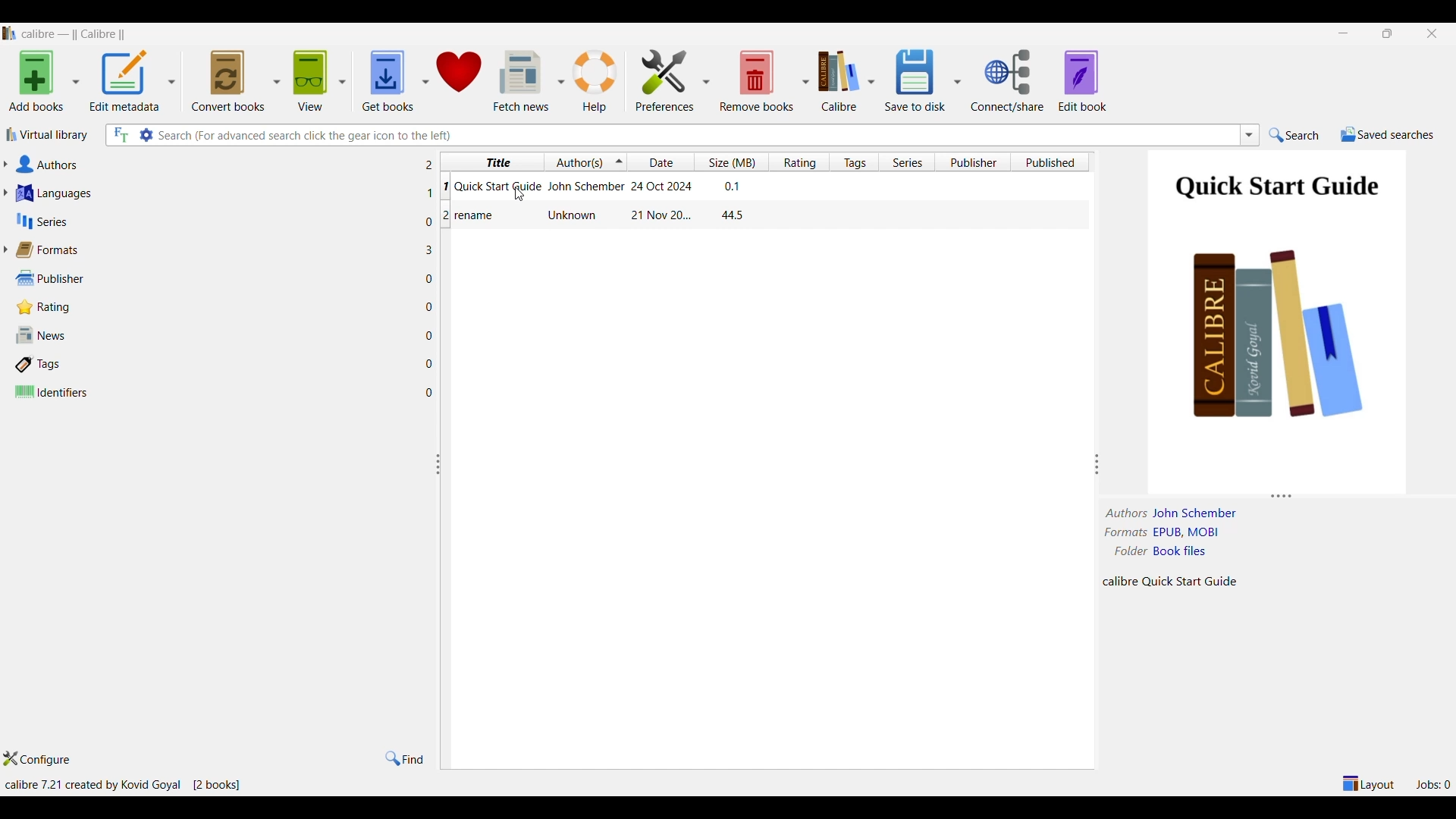 The width and height of the screenshot is (1456, 819). What do you see at coordinates (443, 560) in the screenshot?
I see `Change width of panels attached to this line` at bounding box center [443, 560].